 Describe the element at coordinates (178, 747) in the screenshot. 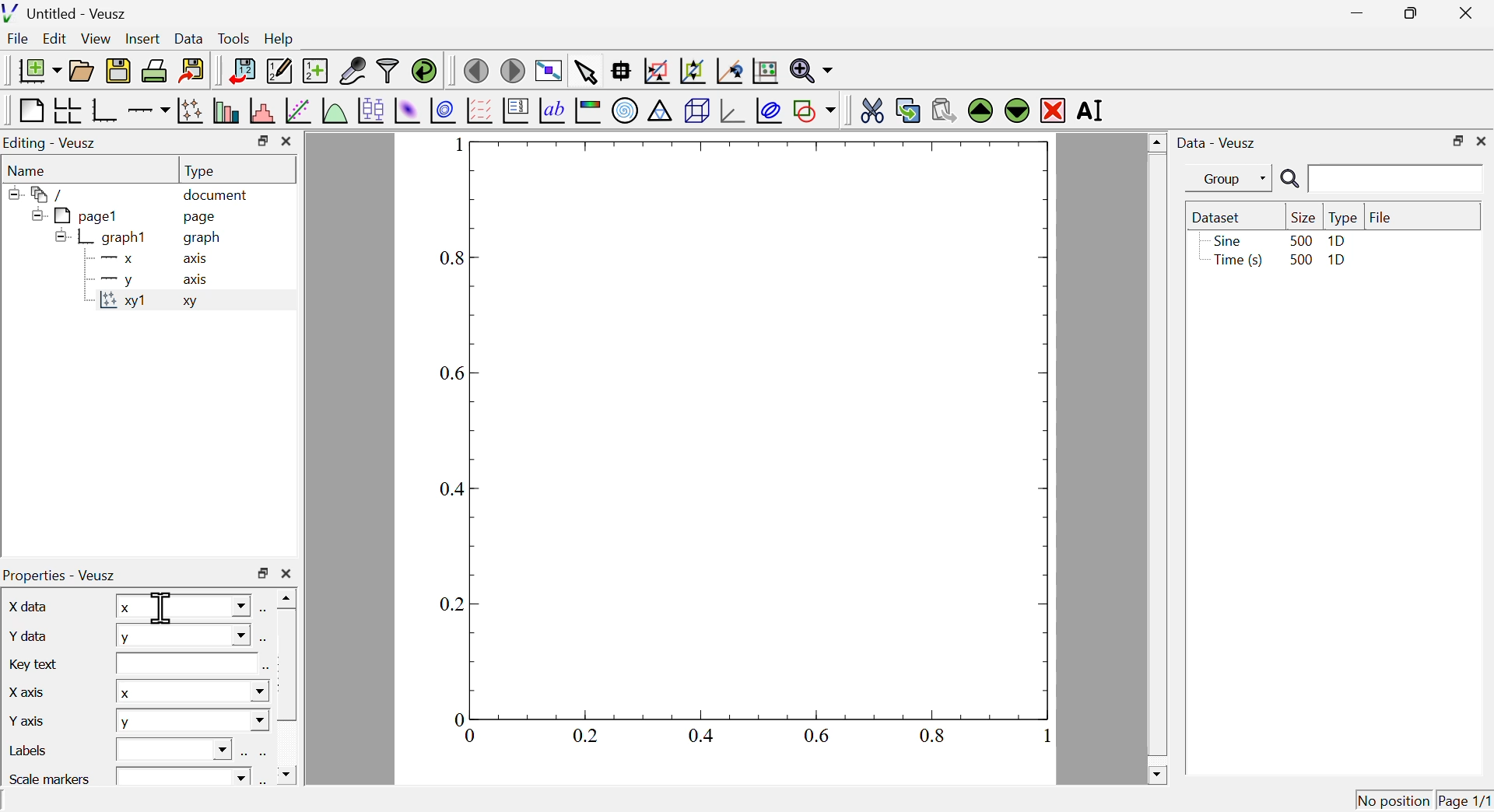

I see `text box` at that location.